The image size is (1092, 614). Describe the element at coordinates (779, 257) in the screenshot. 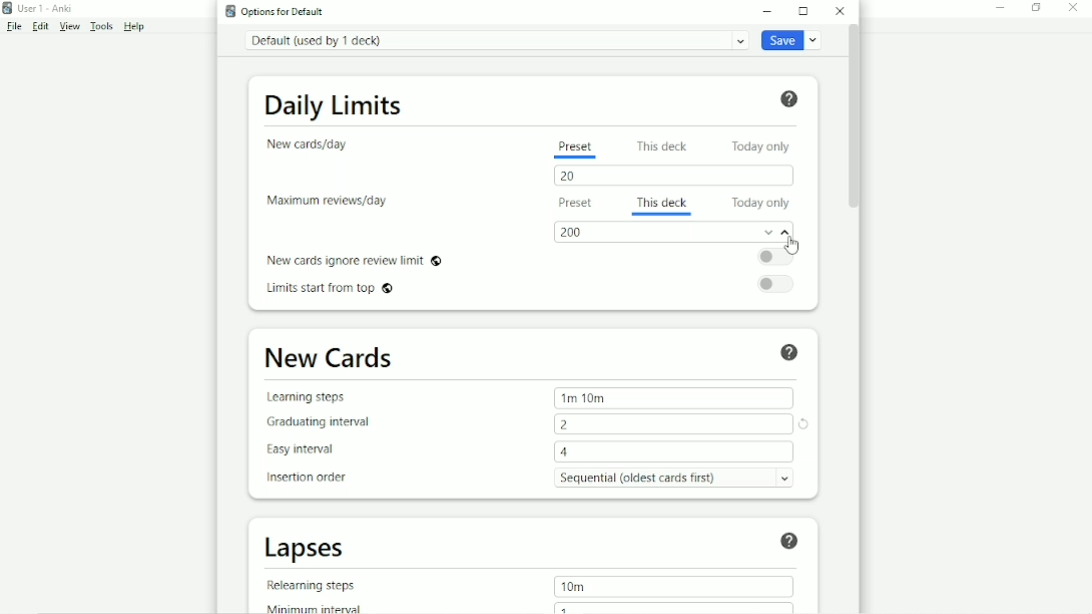

I see `Toggle on/off` at that location.